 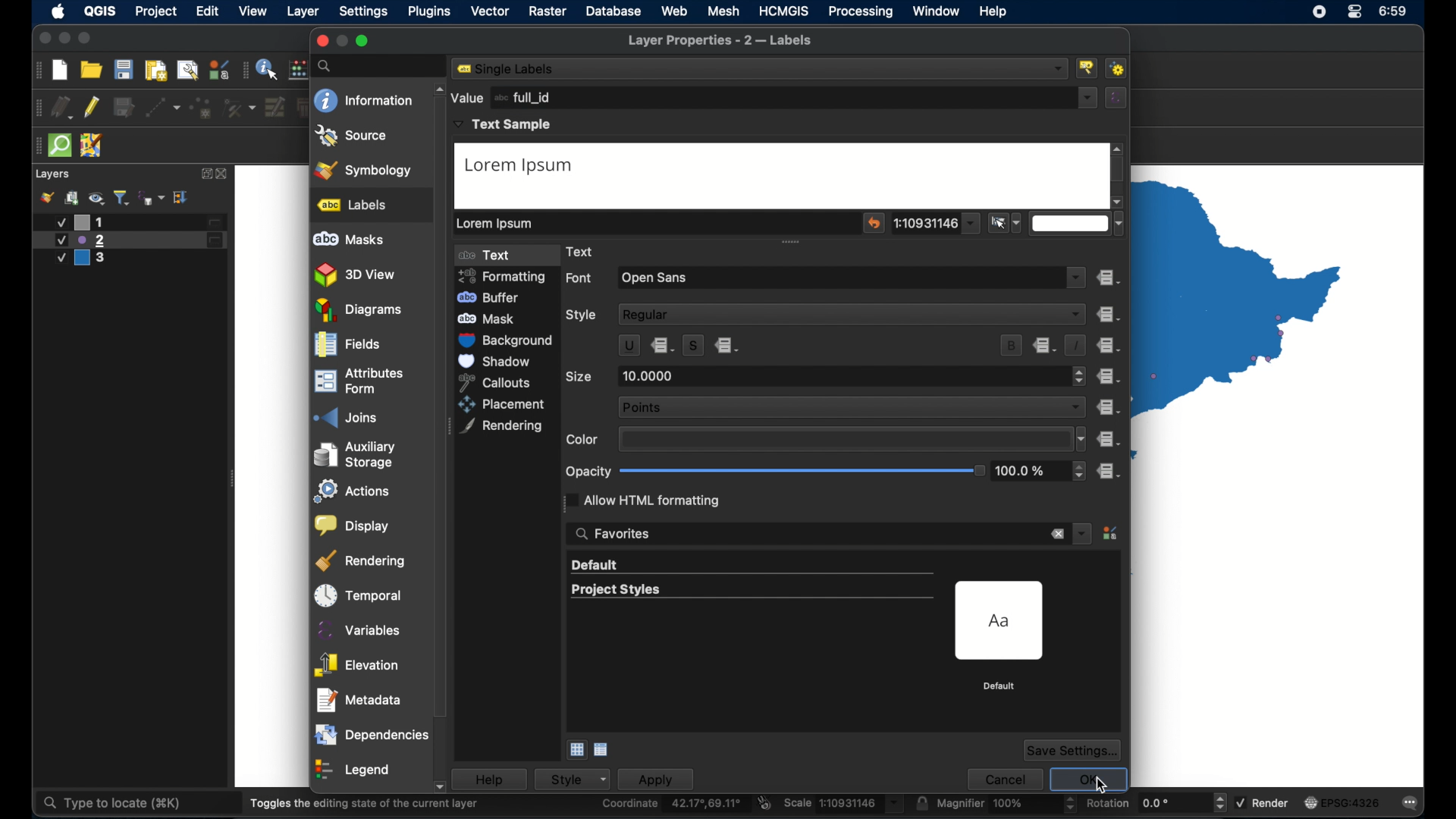 I want to click on remove, so click(x=1056, y=535).